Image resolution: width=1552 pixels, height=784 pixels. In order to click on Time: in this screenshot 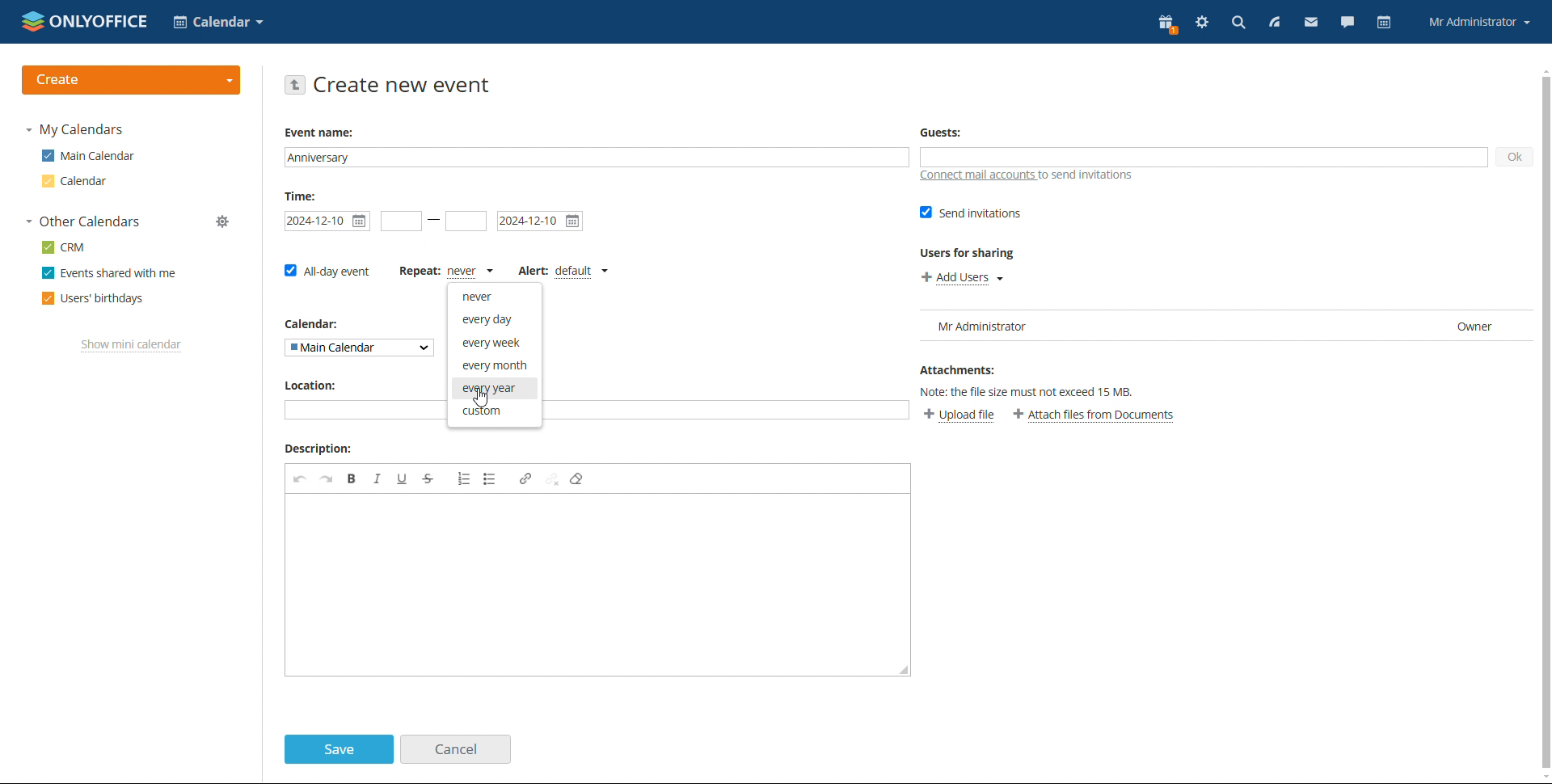, I will do `click(300, 196)`.